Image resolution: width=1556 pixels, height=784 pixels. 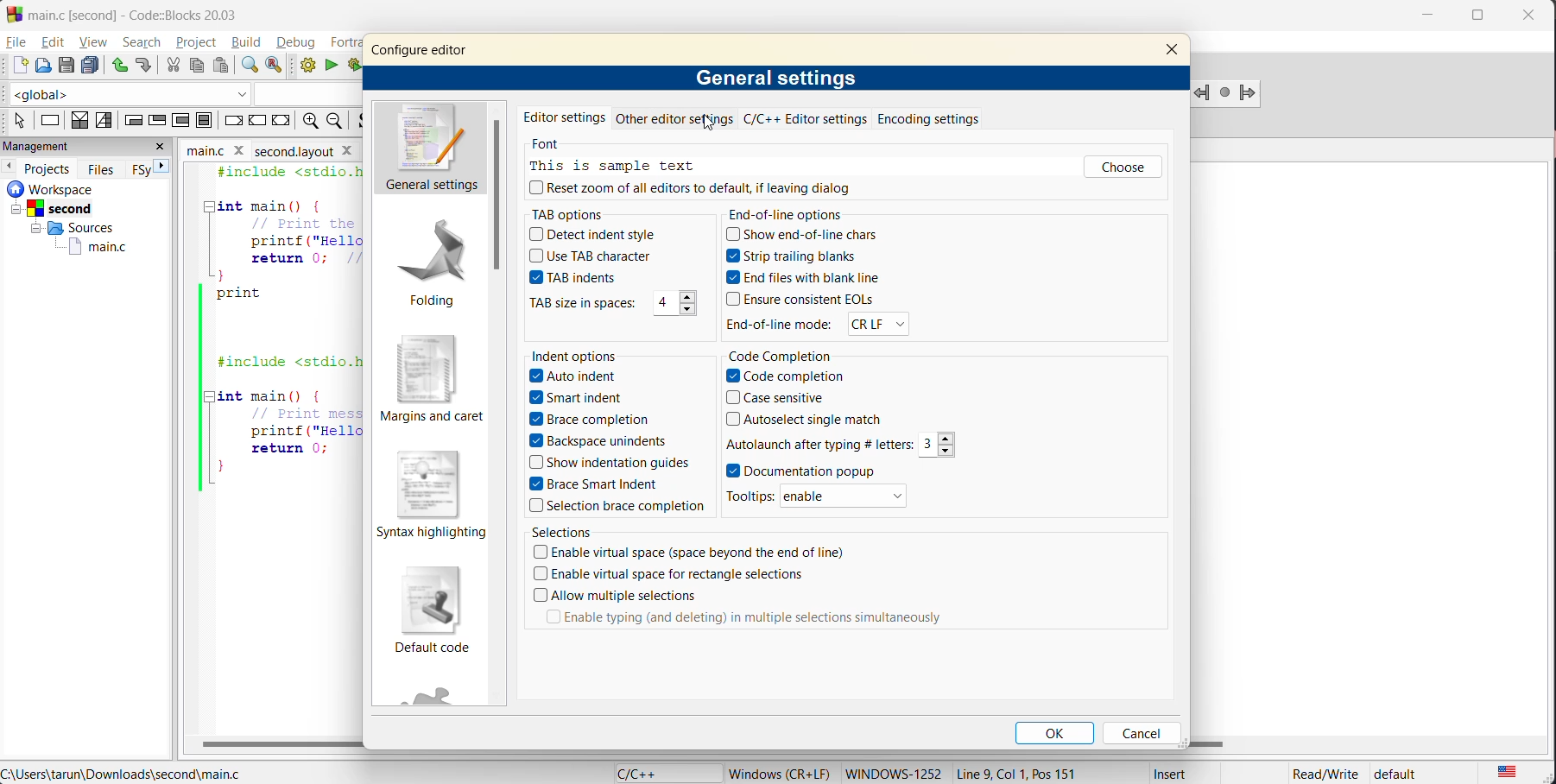 What do you see at coordinates (1141, 730) in the screenshot?
I see `cancel` at bounding box center [1141, 730].